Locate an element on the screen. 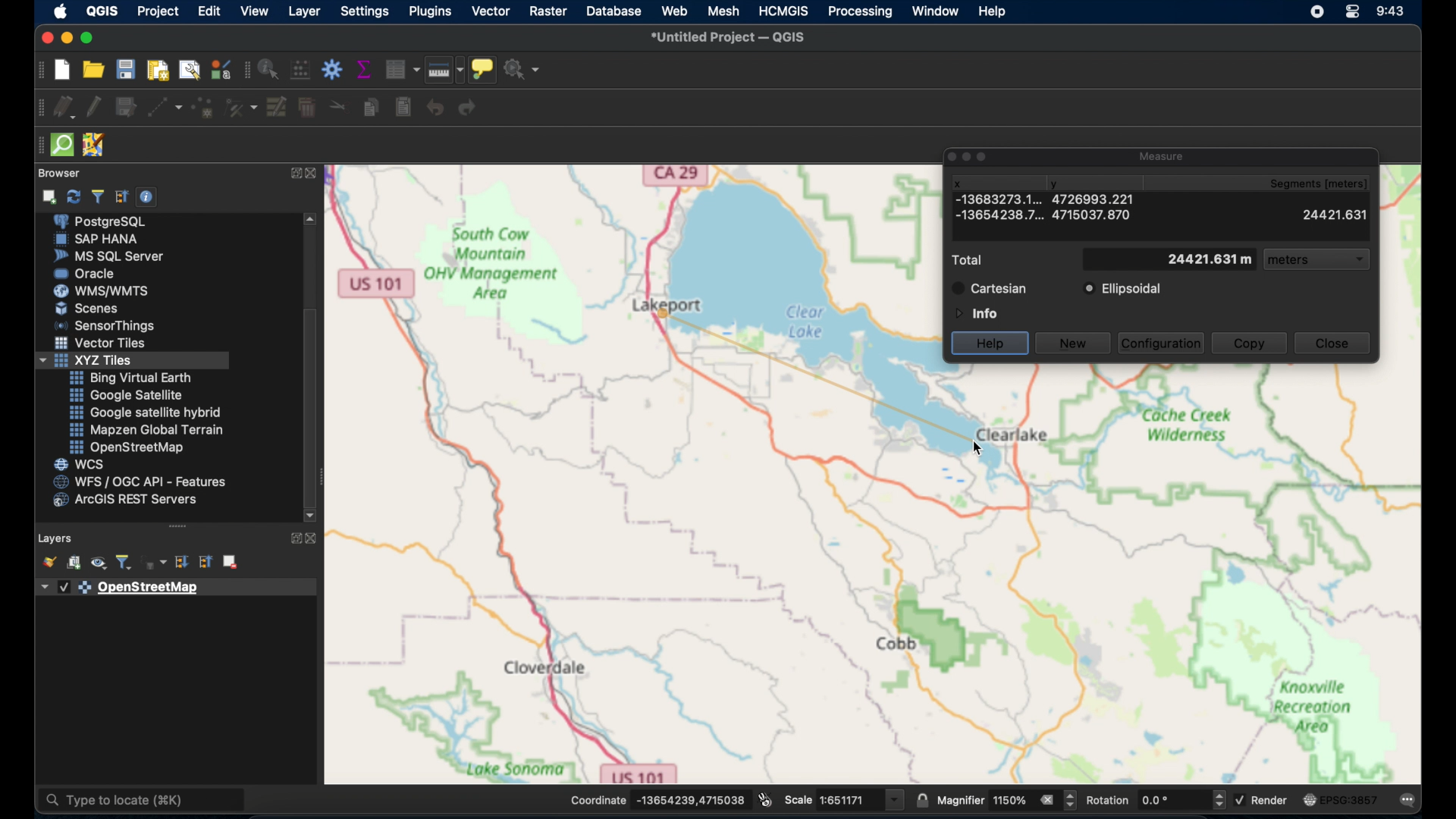 Image resolution: width=1456 pixels, height=819 pixels. layer is located at coordinates (304, 11).